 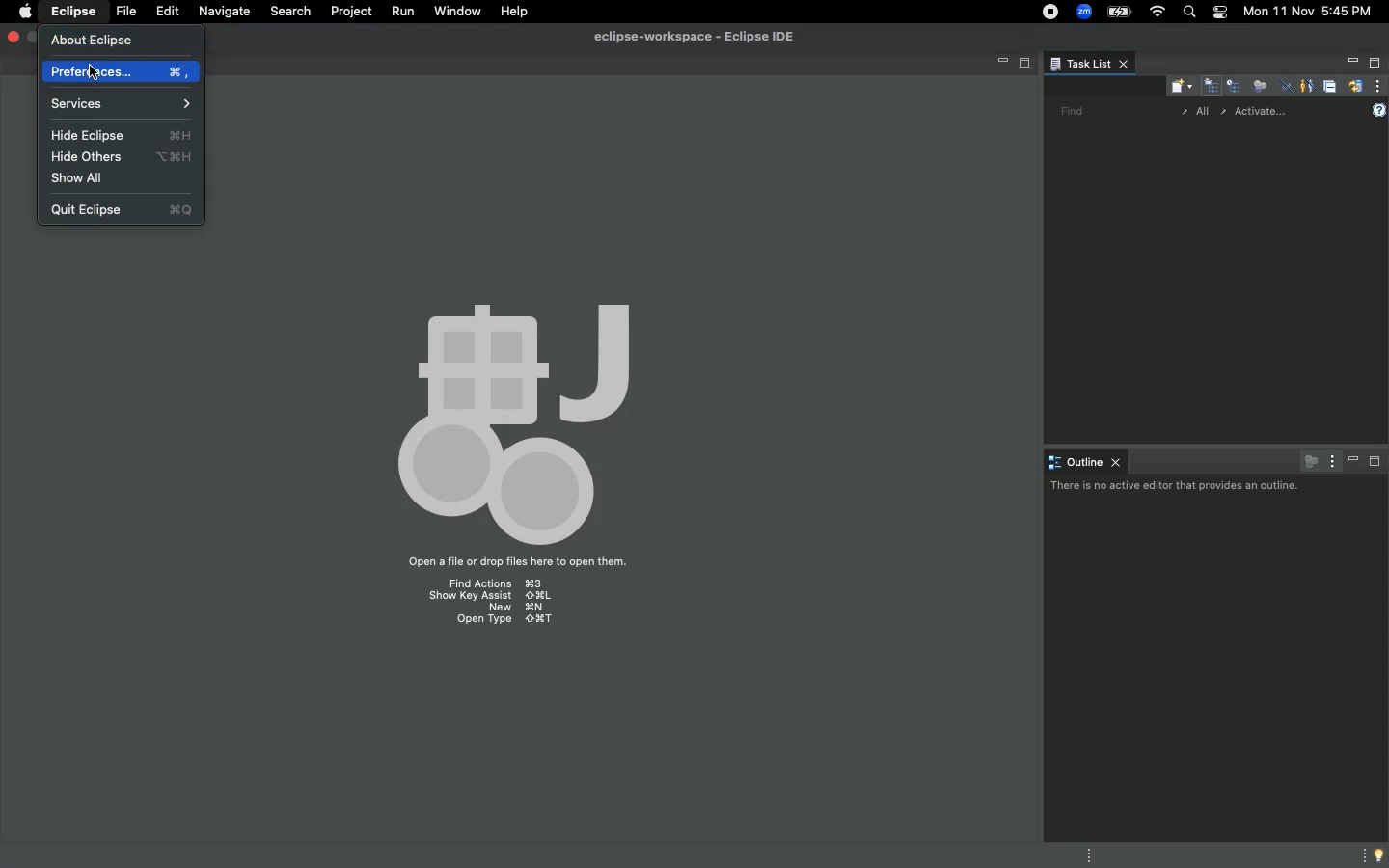 I want to click on Hide completed tasks, so click(x=1283, y=87).